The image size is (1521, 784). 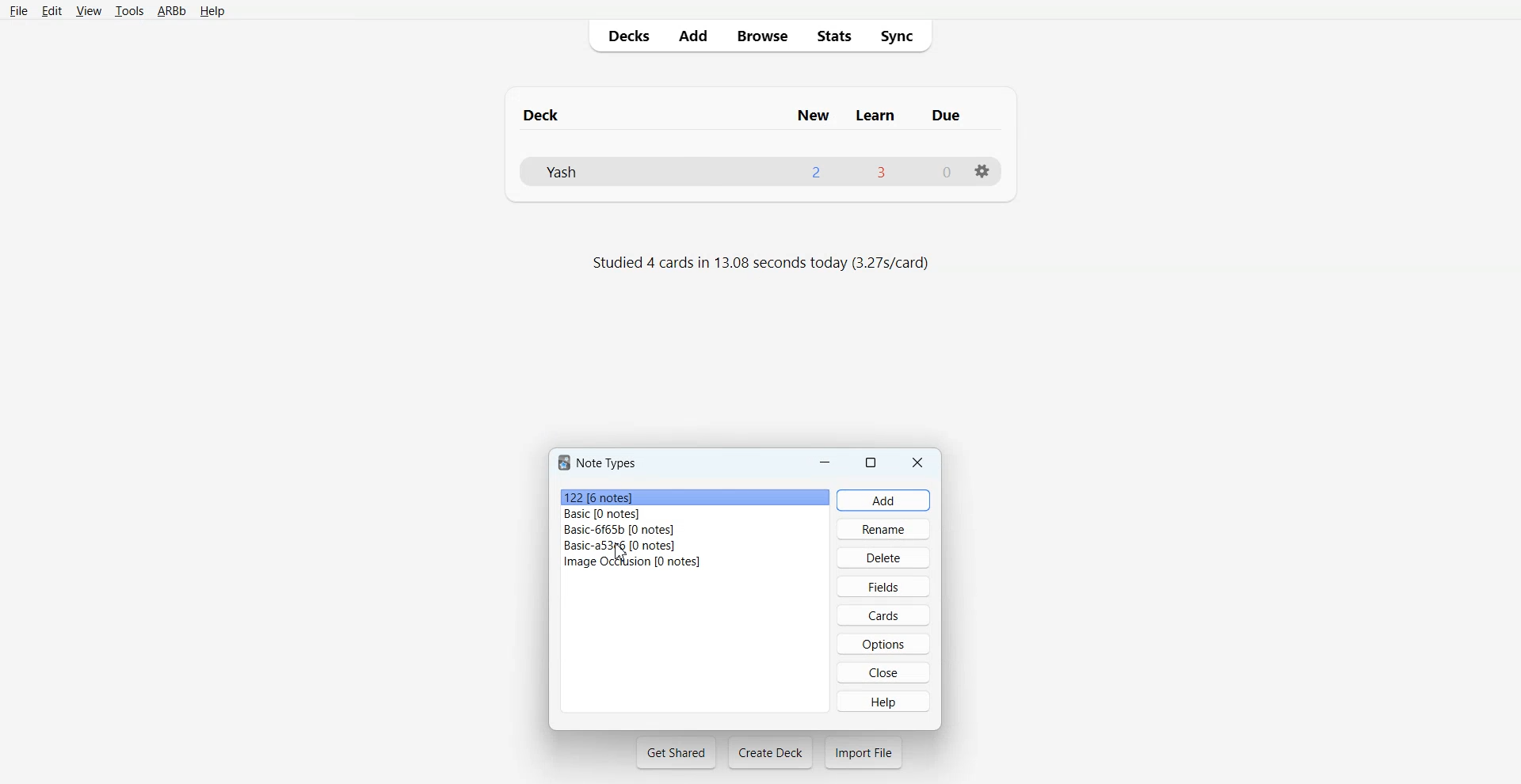 What do you see at coordinates (129, 12) in the screenshot?
I see `Tools` at bounding box center [129, 12].